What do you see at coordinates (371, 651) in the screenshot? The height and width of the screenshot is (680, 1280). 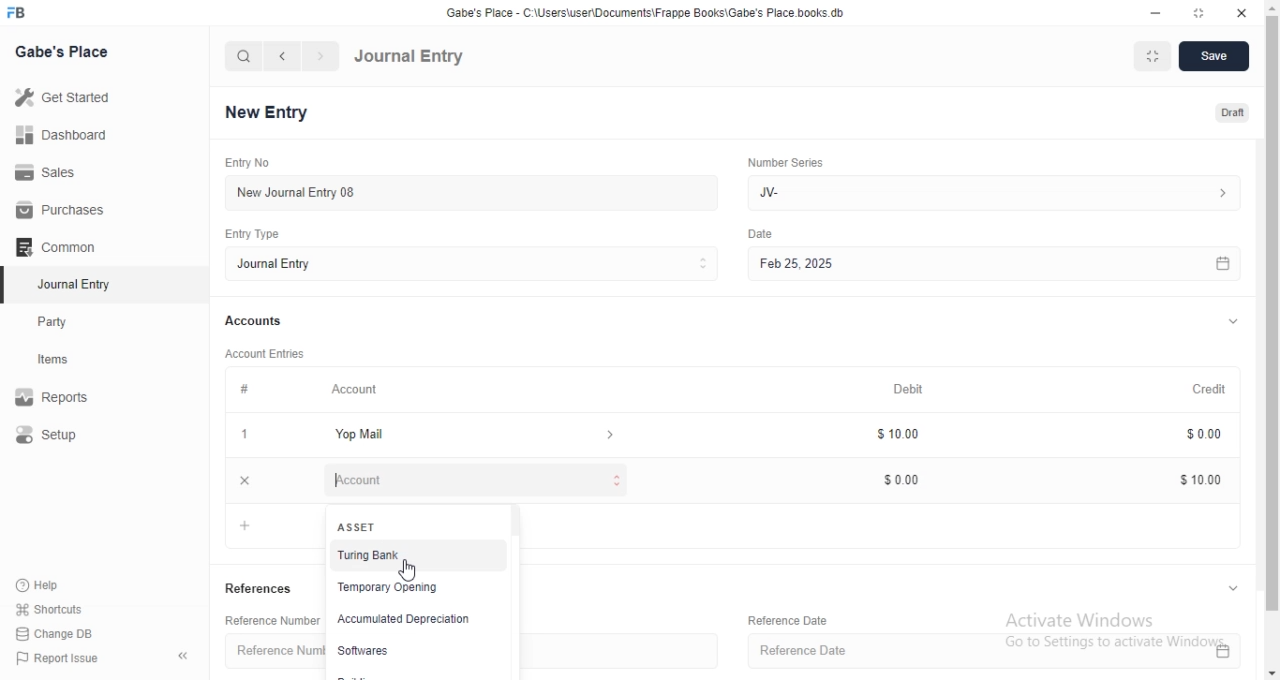 I see `Softwares` at bounding box center [371, 651].